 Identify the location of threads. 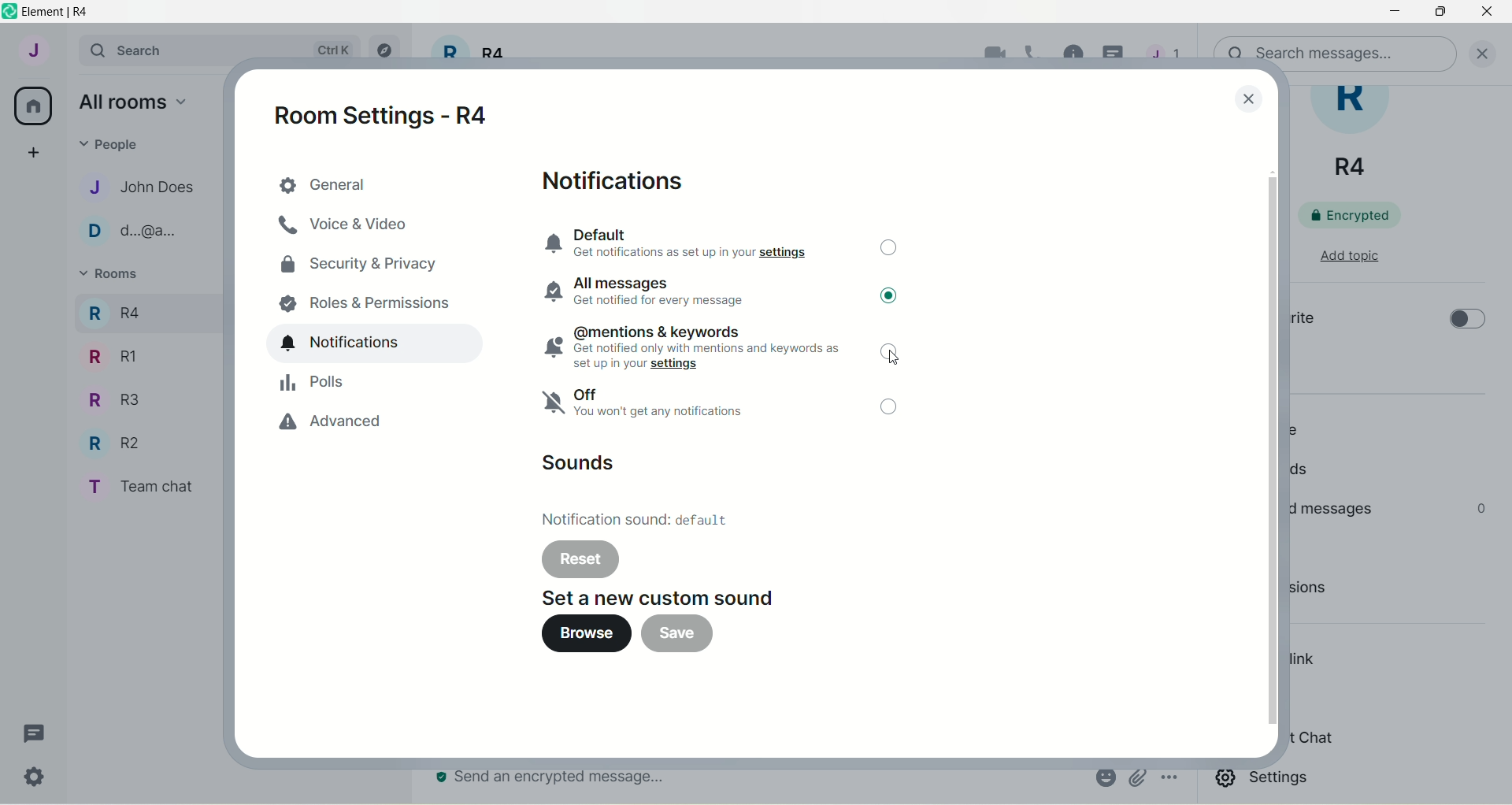
(35, 734).